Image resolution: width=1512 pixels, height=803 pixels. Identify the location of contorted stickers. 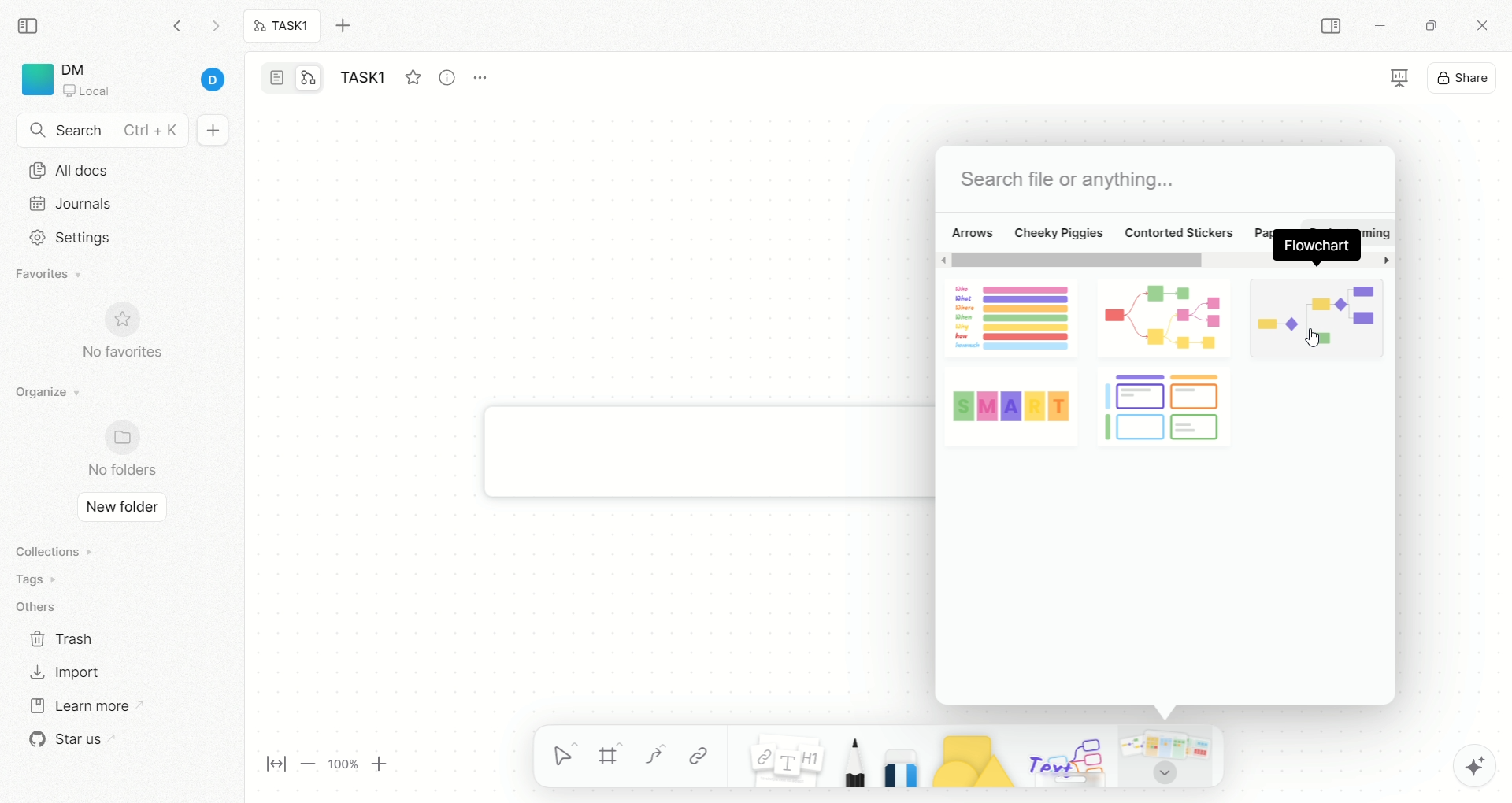
(1179, 231).